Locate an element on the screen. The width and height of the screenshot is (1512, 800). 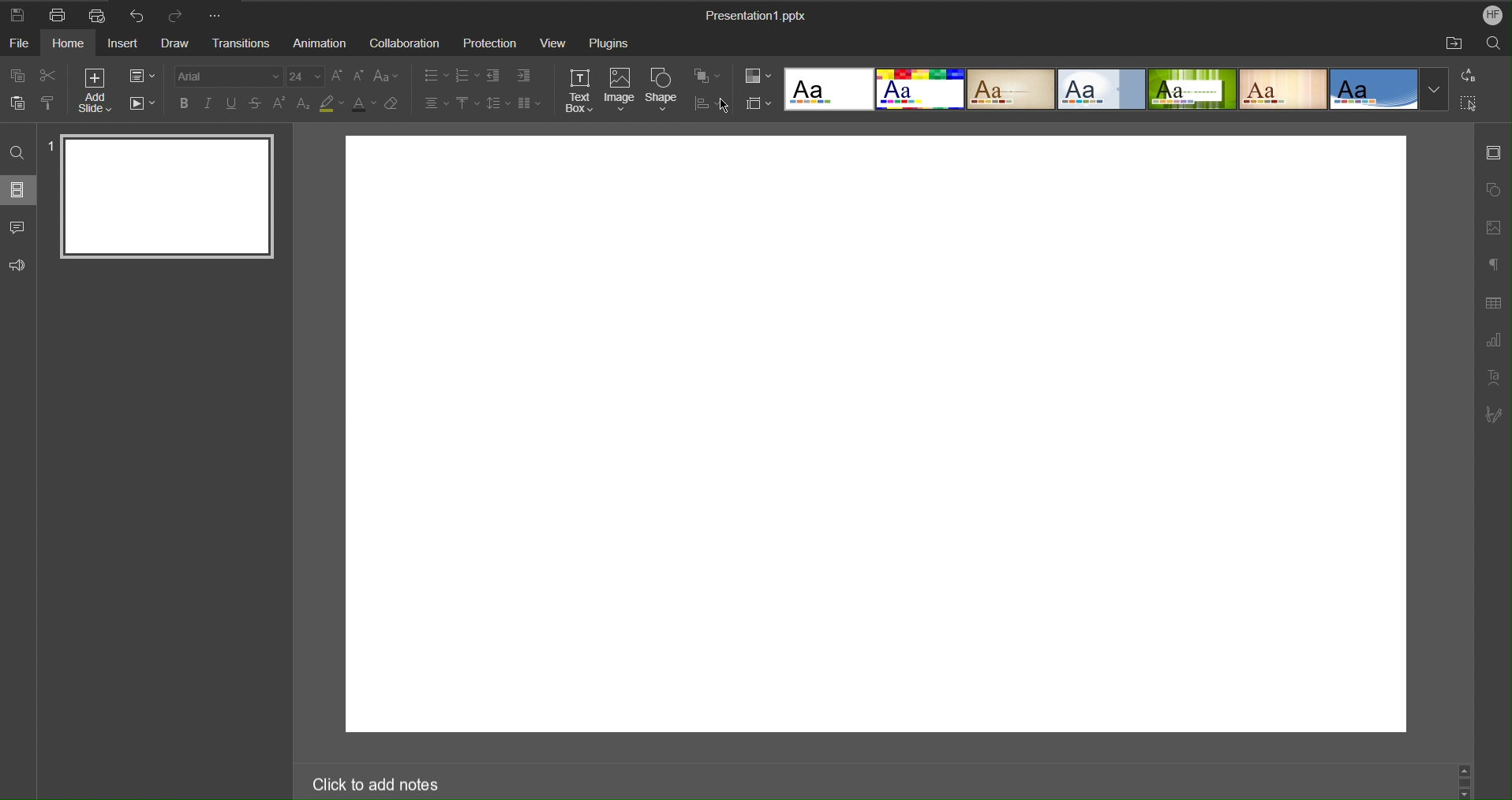
Copy Style is located at coordinates (47, 104).